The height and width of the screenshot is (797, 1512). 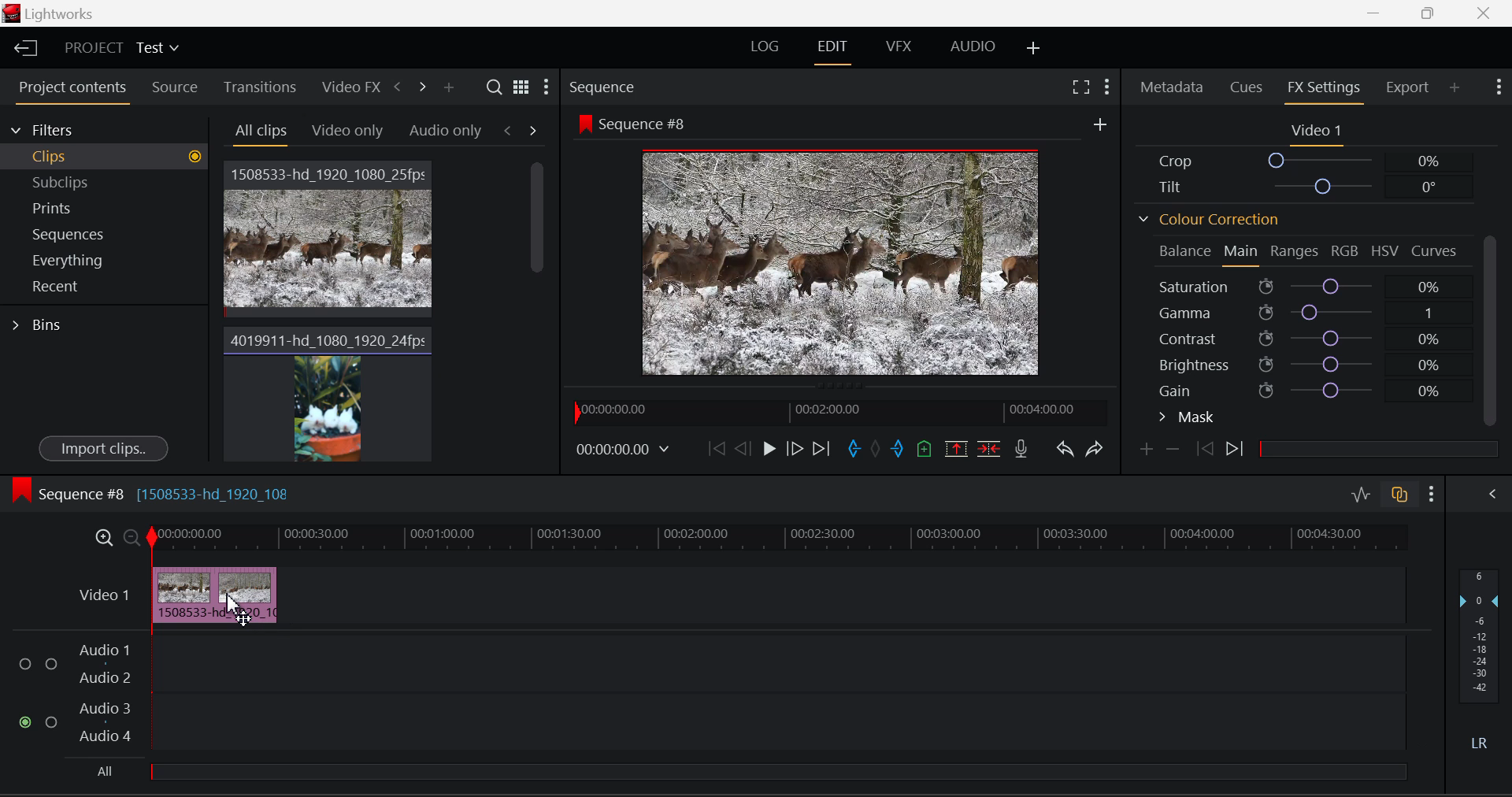 I want to click on Search, so click(x=492, y=87).